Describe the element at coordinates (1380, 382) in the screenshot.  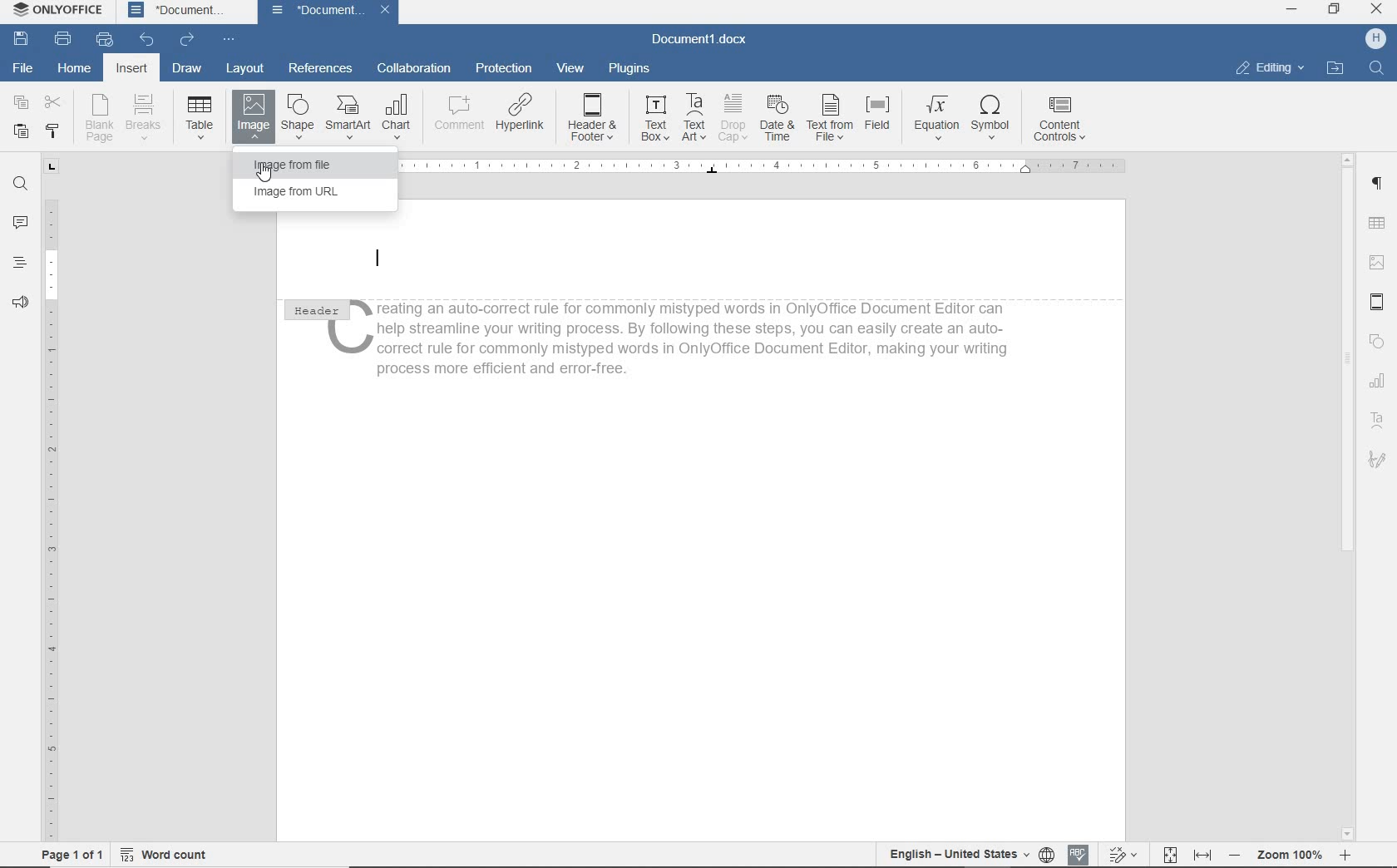
I see `Chart` at that location.